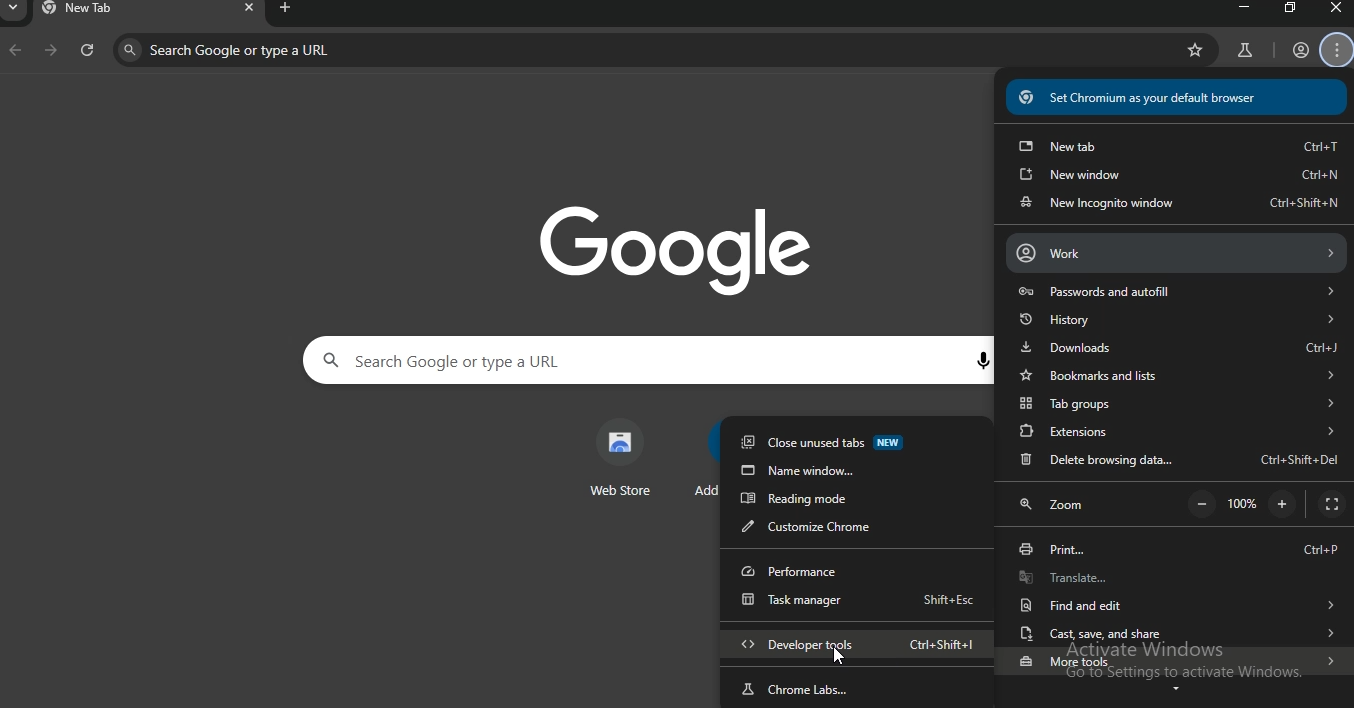  What do you see at coordinates (86, 53) in the screenshot?
I see `refresh` at bounding box center [86, 53].